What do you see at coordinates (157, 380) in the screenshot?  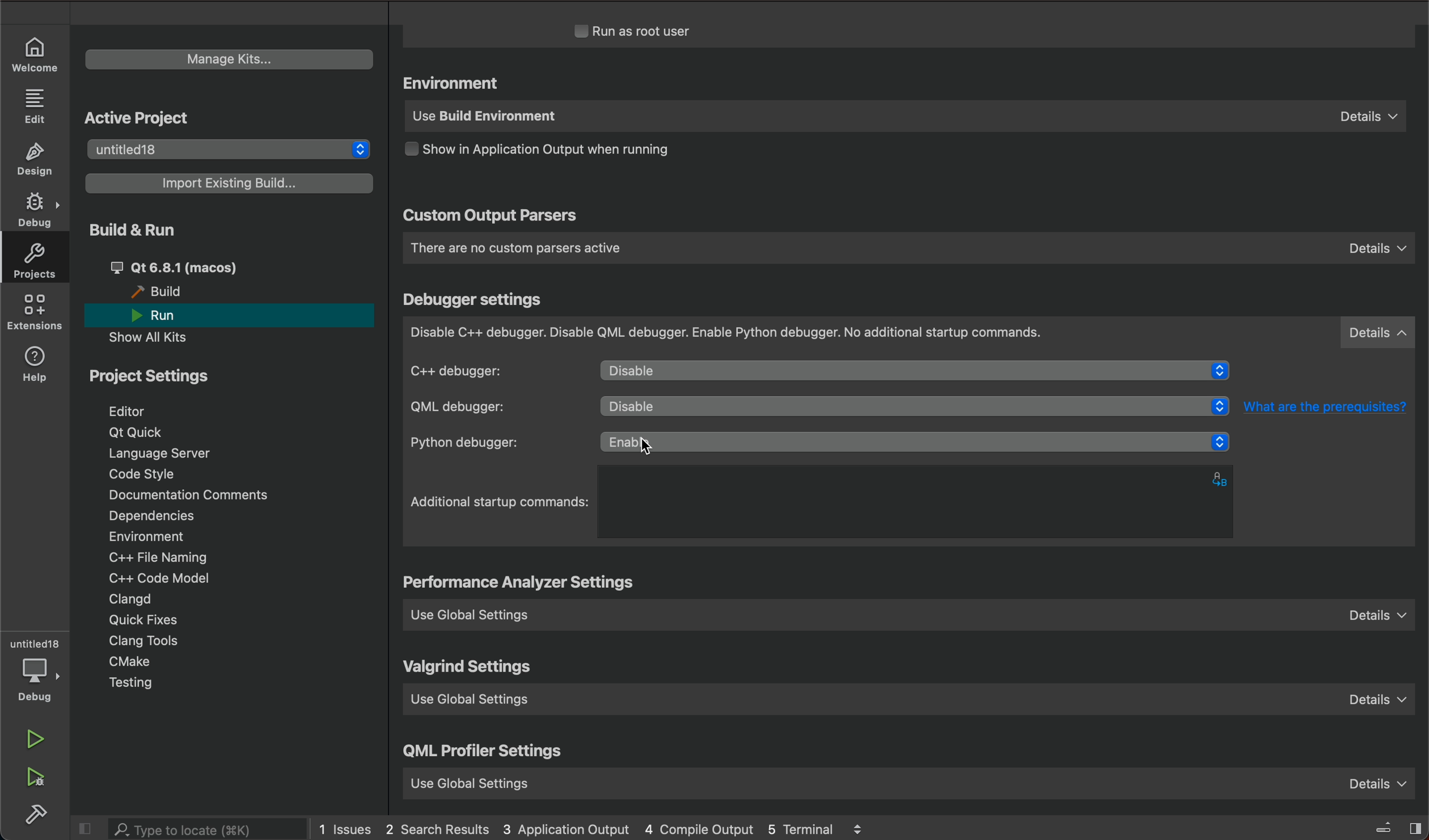 I see `project` at bounding box center [157, 380].